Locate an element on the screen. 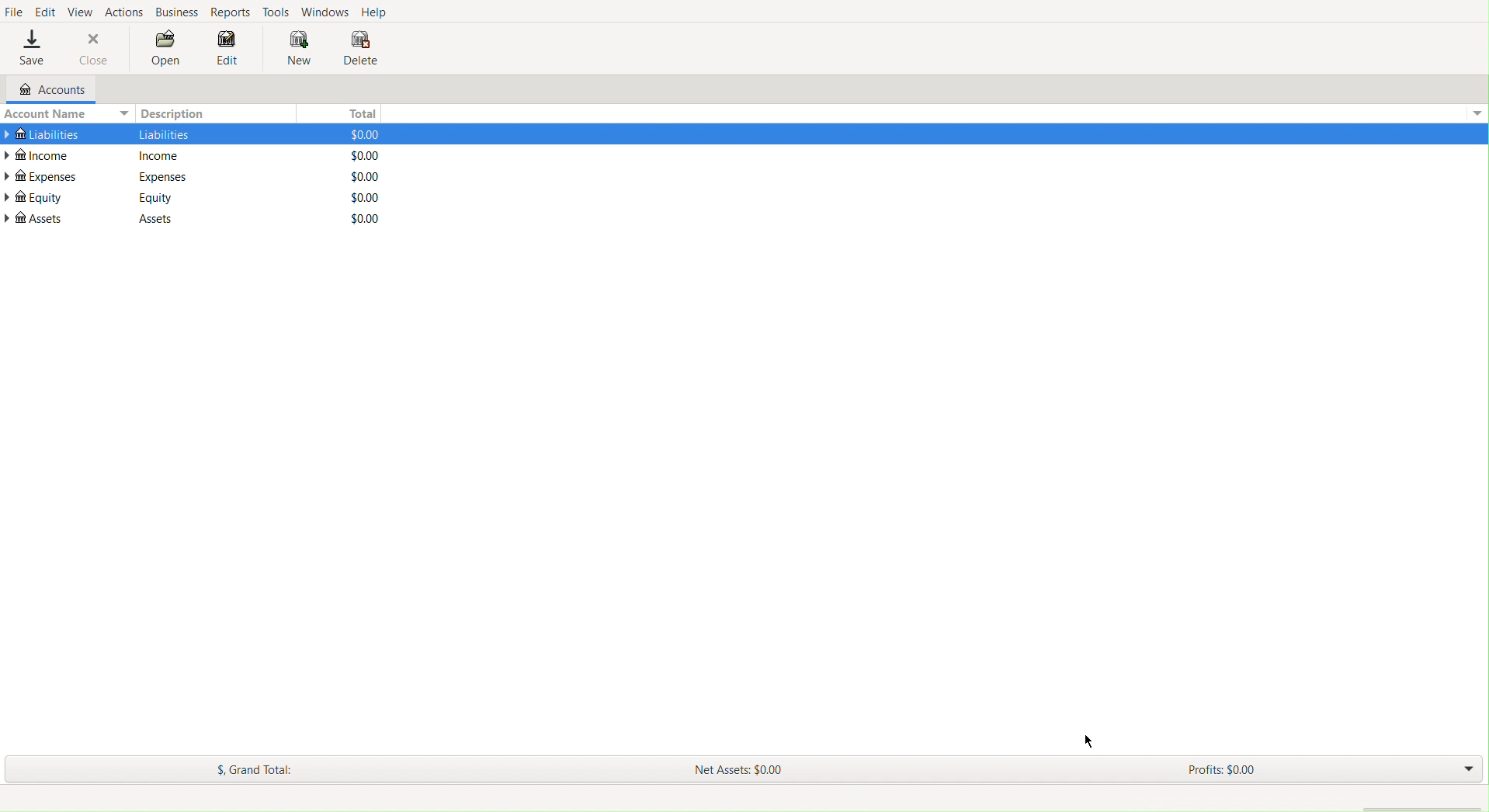 The height and width of the screenshot is (812, 1489). Expenses is located at coordinates (42, 176).